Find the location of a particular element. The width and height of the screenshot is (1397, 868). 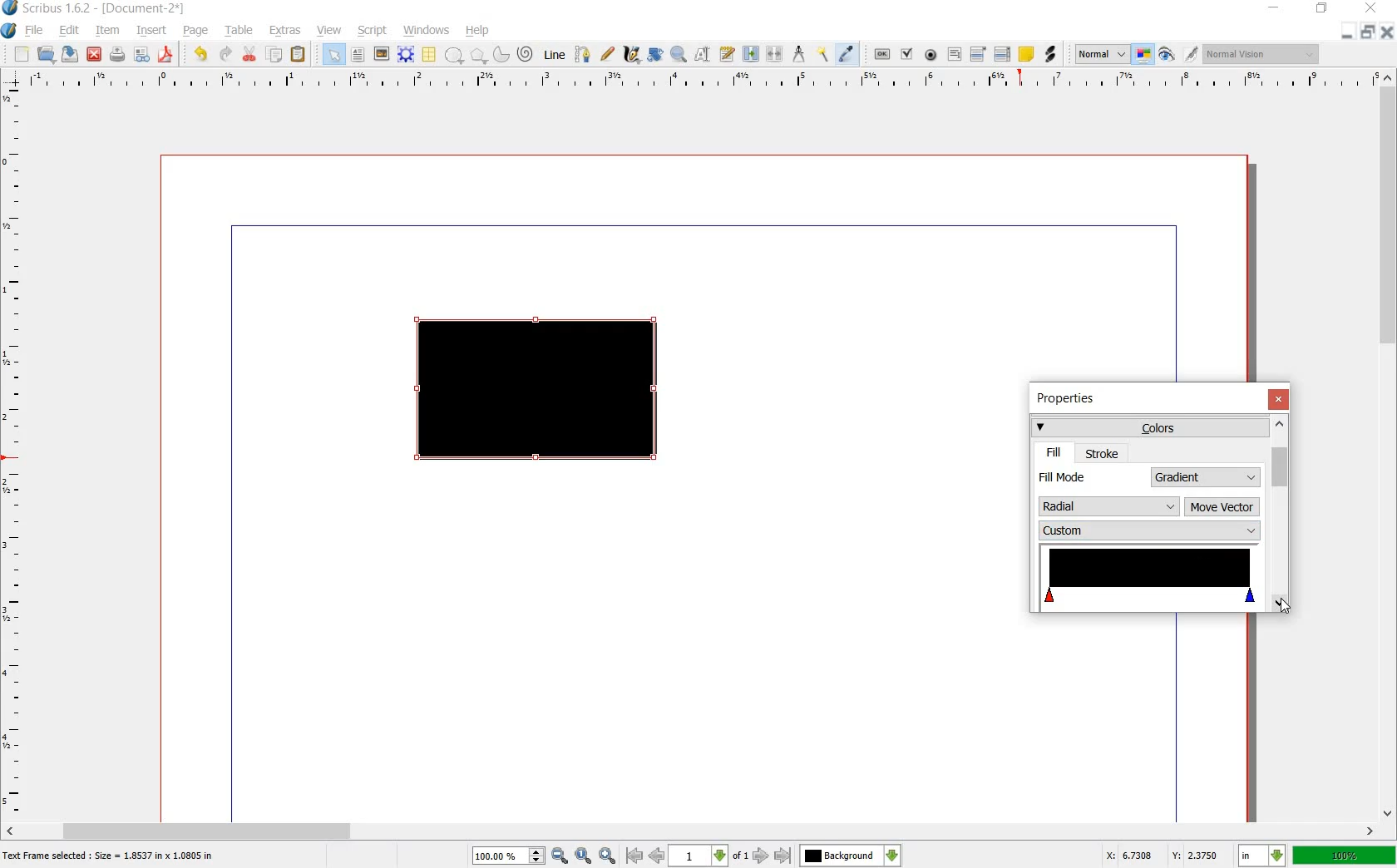

100% is located at coordinates (500, 856).